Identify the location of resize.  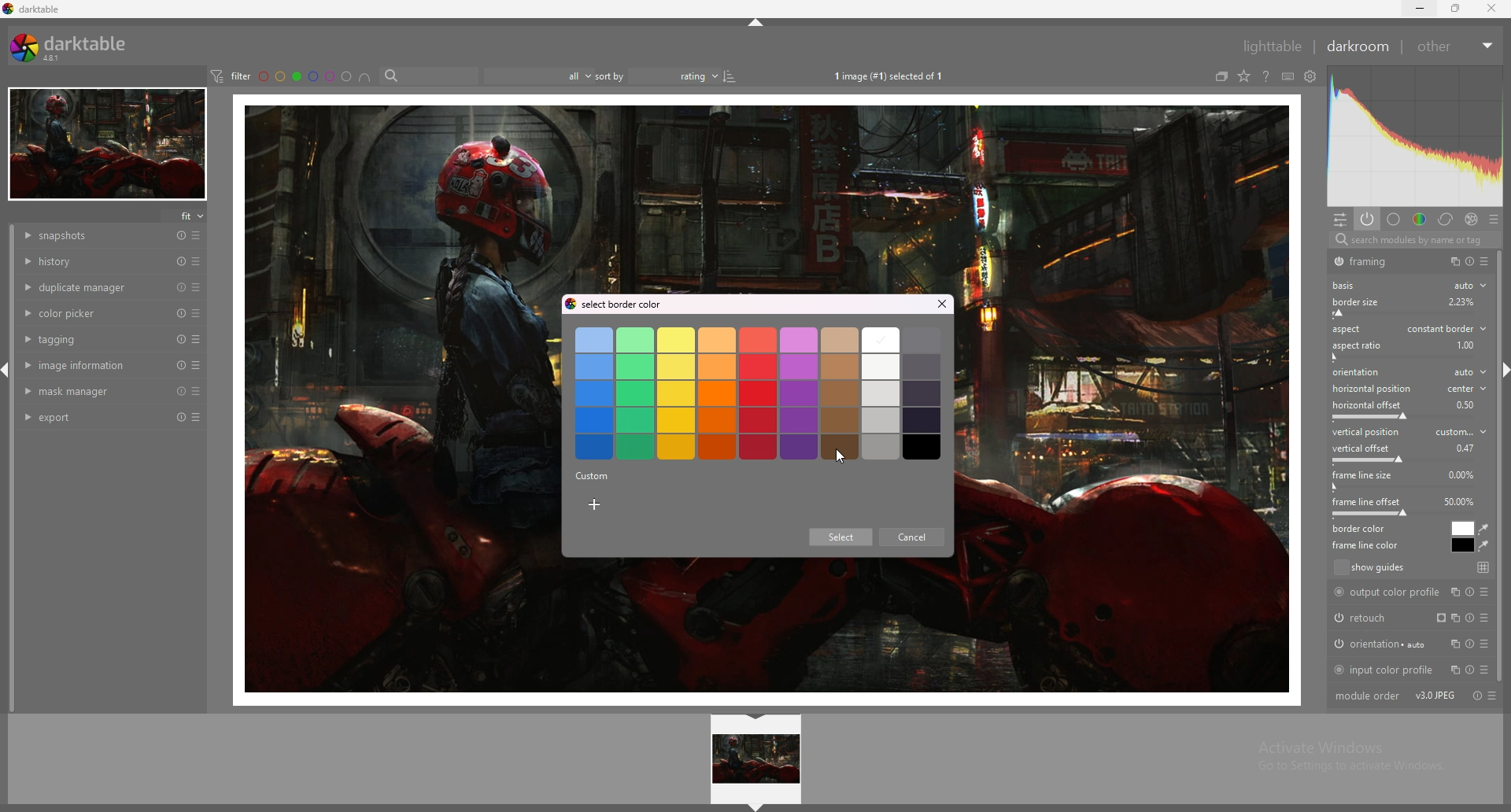
(1458, 8).